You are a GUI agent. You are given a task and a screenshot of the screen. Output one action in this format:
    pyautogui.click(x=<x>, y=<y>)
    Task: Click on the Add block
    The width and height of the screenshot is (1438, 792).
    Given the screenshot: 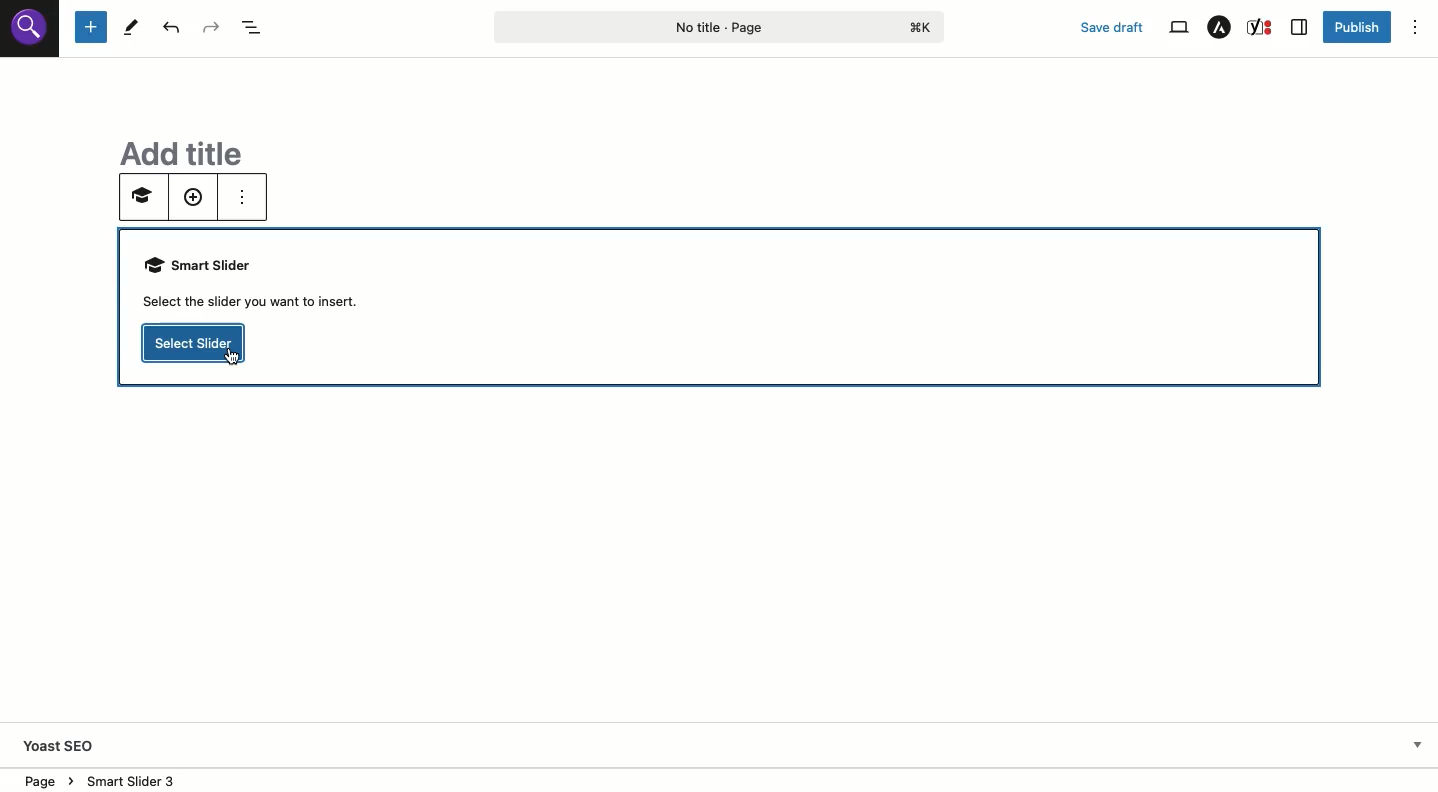 What is the action you would take?
    pyautogui.click(x=91, y=28)
    